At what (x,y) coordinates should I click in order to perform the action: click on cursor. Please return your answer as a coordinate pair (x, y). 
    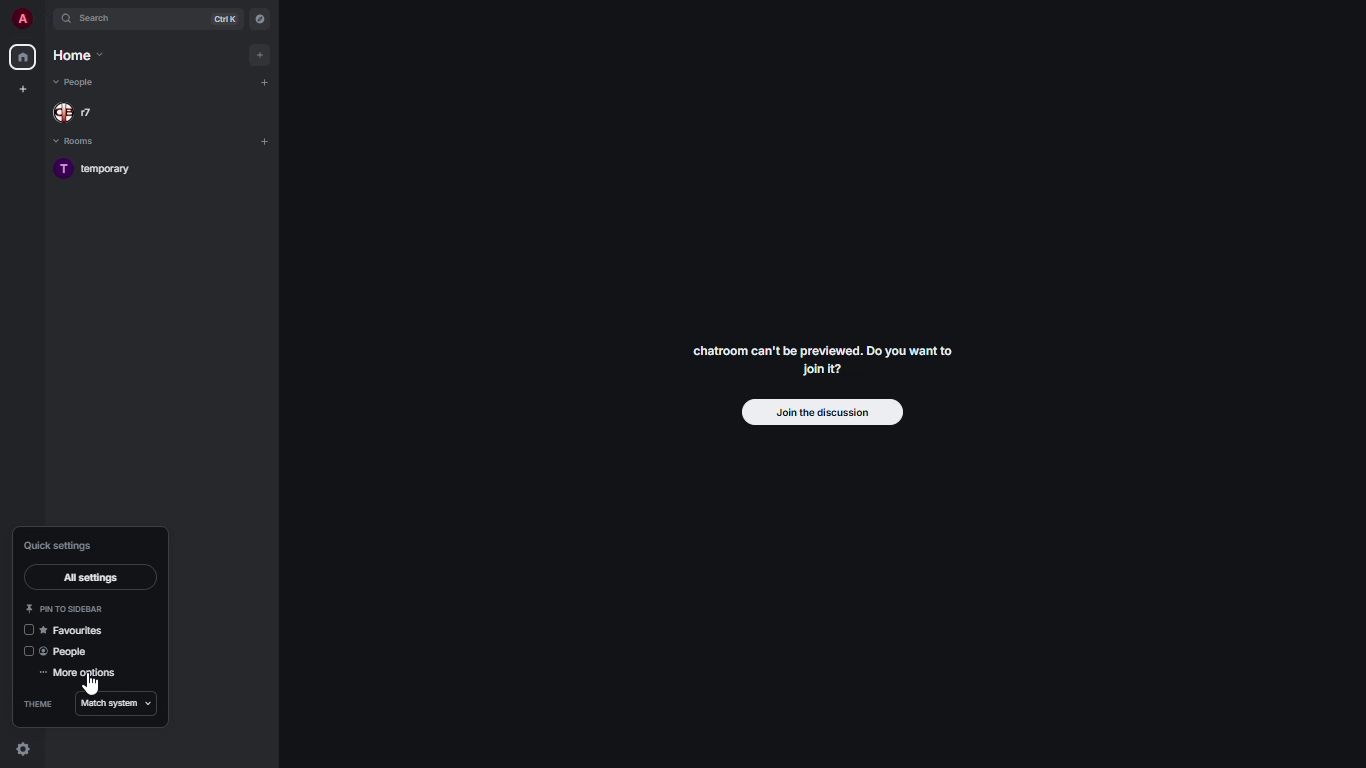
    Looking at the image, I should click on (88, 682).